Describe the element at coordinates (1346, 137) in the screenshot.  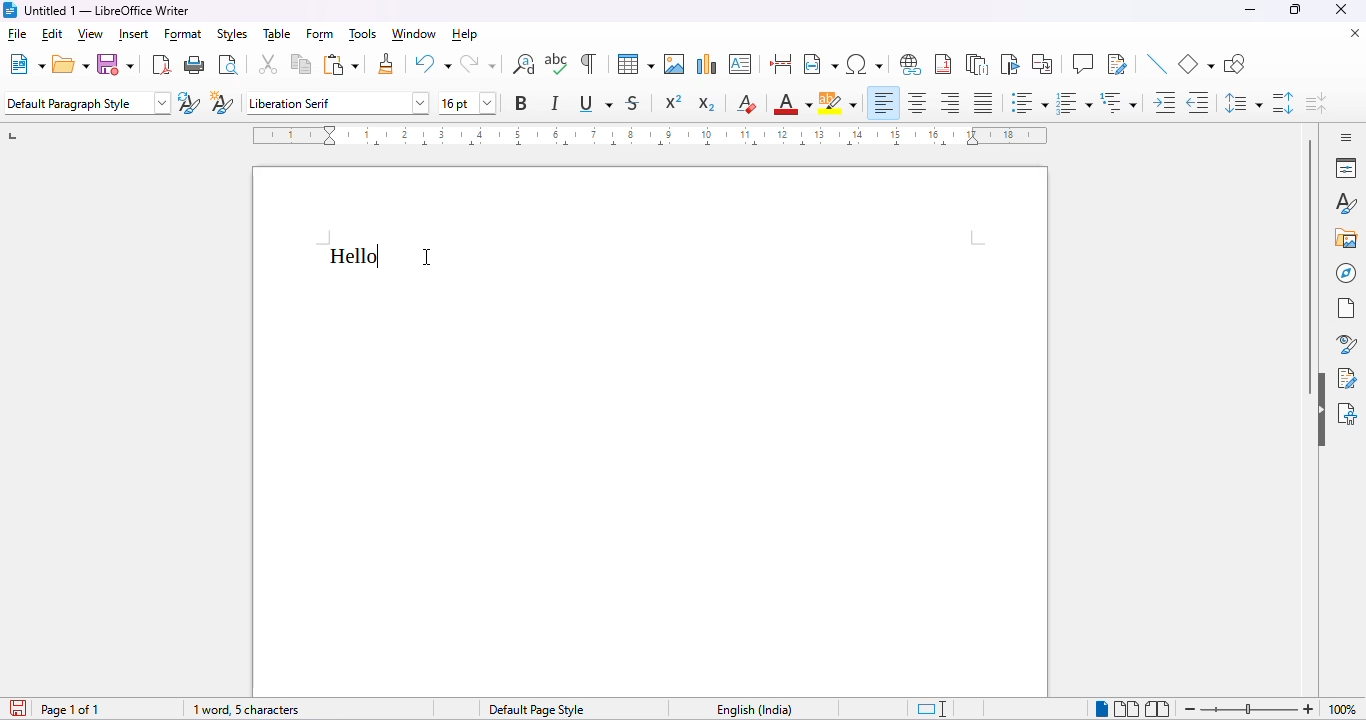
I see `sidebar settings` at that location.